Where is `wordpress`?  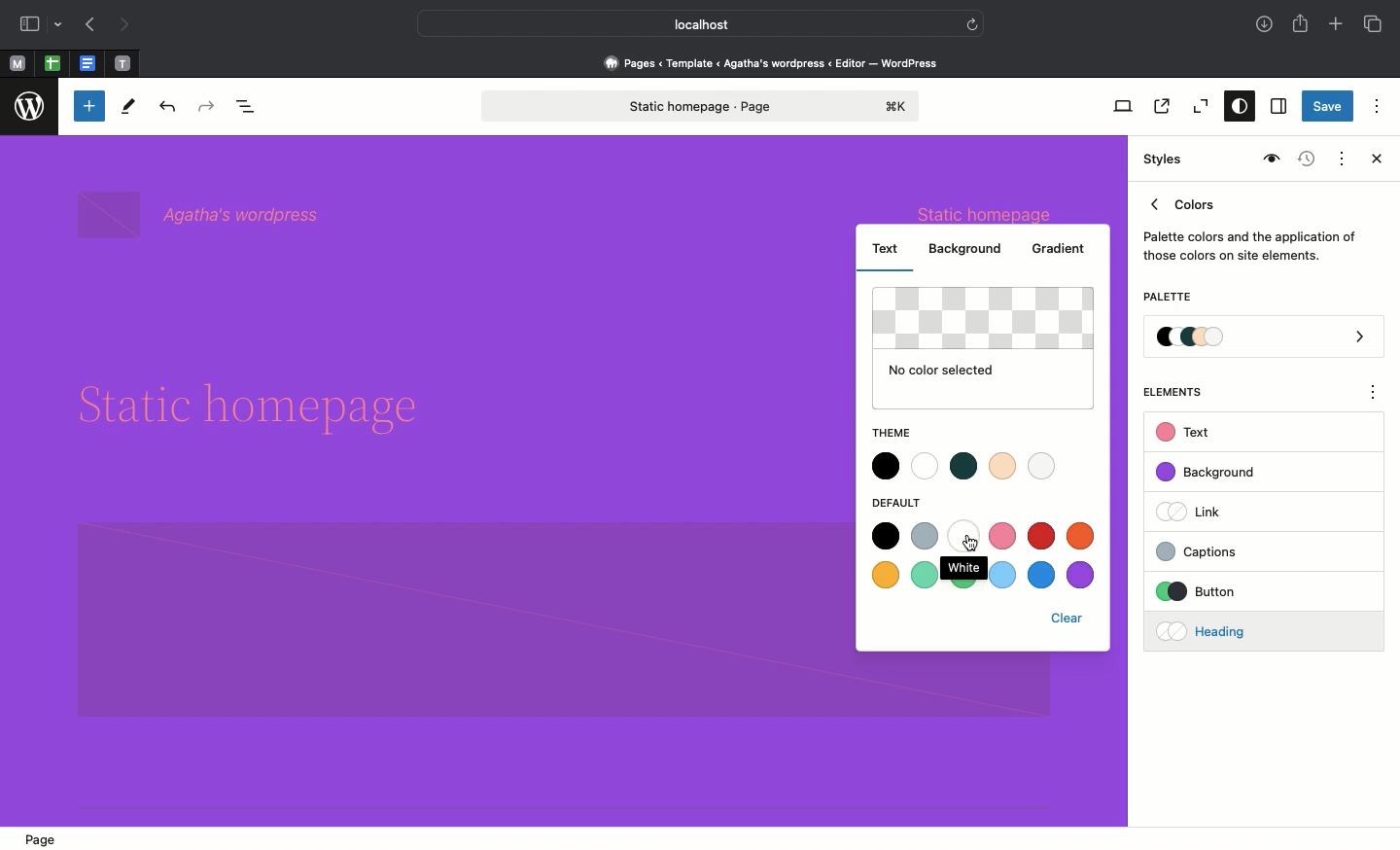 wordpress is located at coordinates (30, 107).